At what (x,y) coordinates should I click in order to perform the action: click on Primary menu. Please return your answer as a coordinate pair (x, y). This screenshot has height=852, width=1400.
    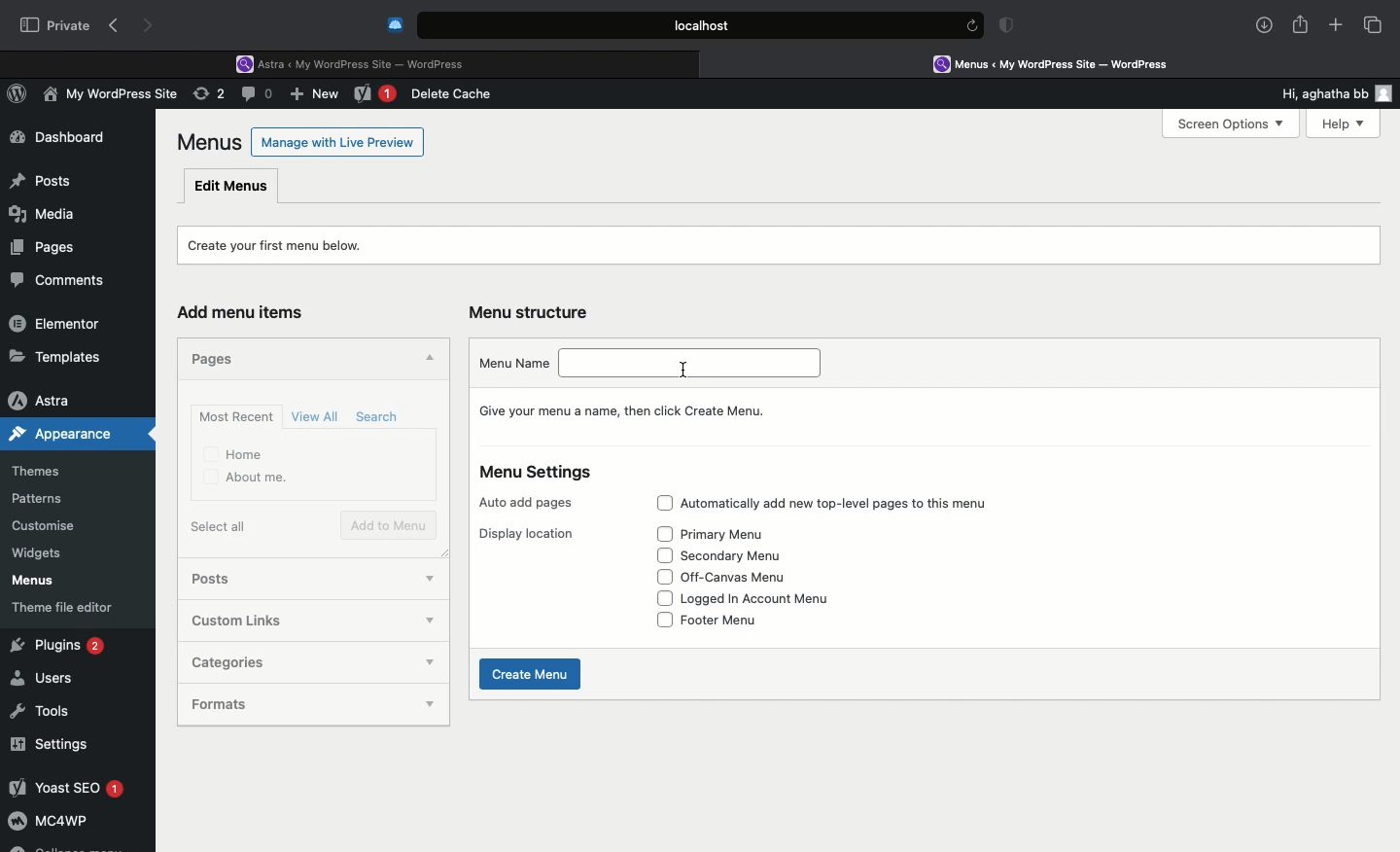
    Looking at the image, I should click on (731, 532).